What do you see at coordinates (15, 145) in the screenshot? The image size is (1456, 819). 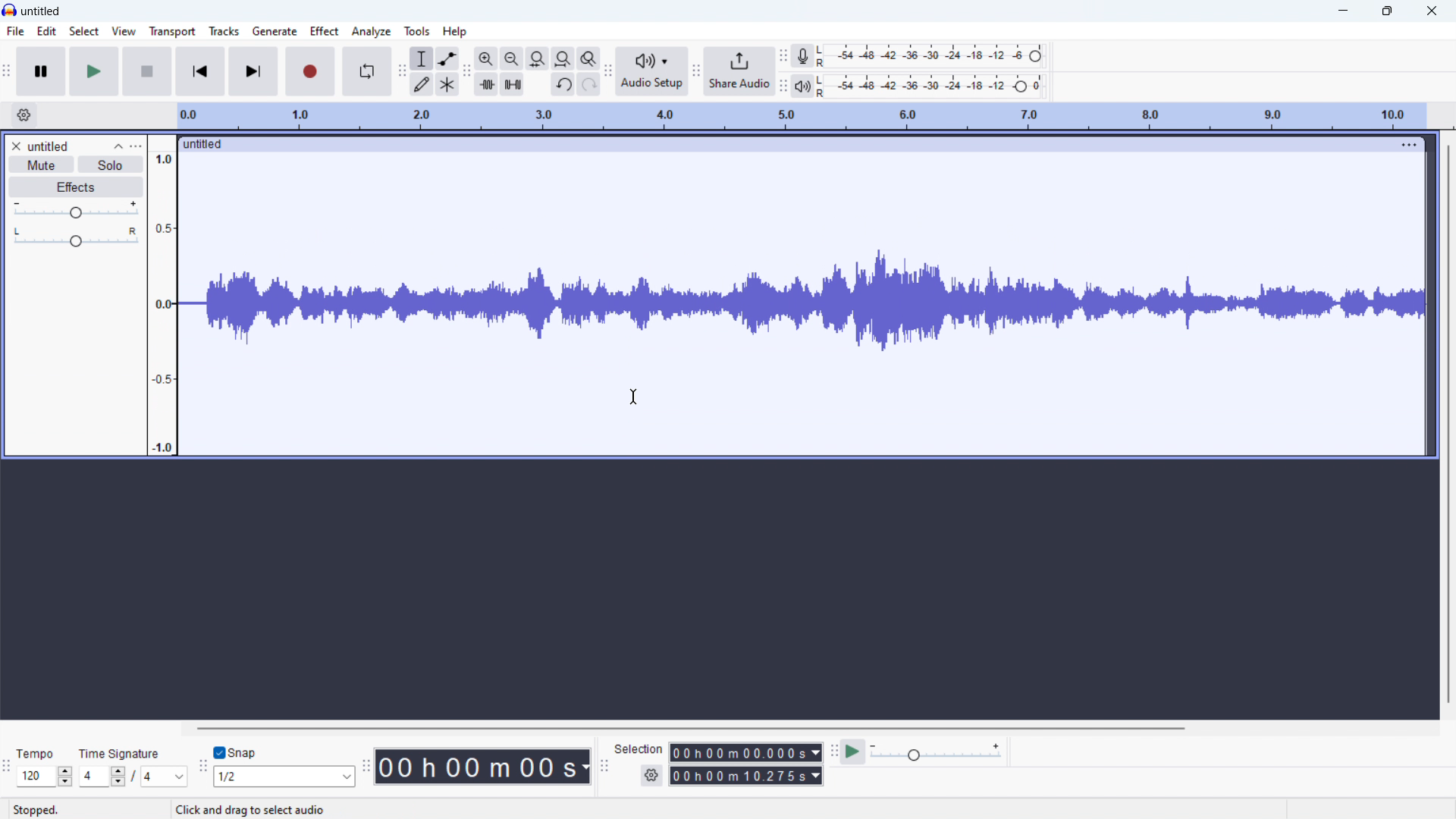 I see `remove track` at bounding box center [15, 145].